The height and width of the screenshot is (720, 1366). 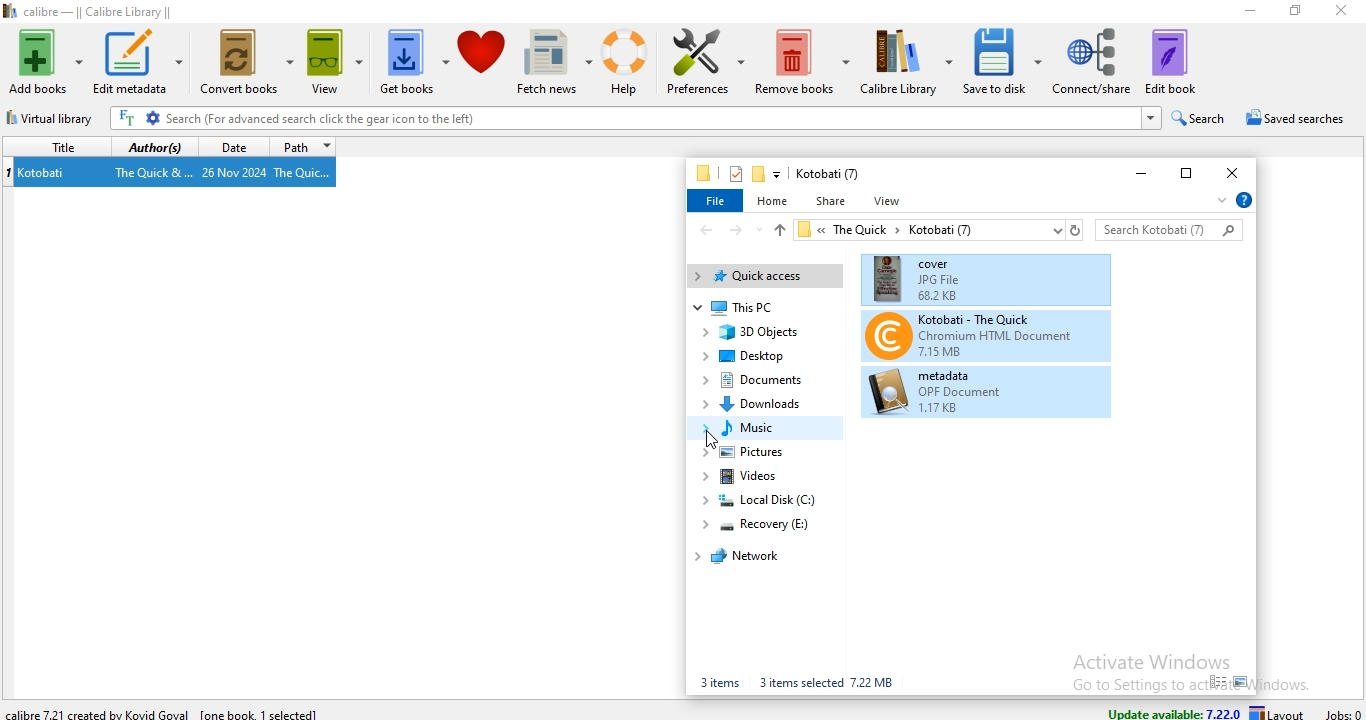 I want to click on Kotobati-The Quick(book files), so click(x=970, y=336).